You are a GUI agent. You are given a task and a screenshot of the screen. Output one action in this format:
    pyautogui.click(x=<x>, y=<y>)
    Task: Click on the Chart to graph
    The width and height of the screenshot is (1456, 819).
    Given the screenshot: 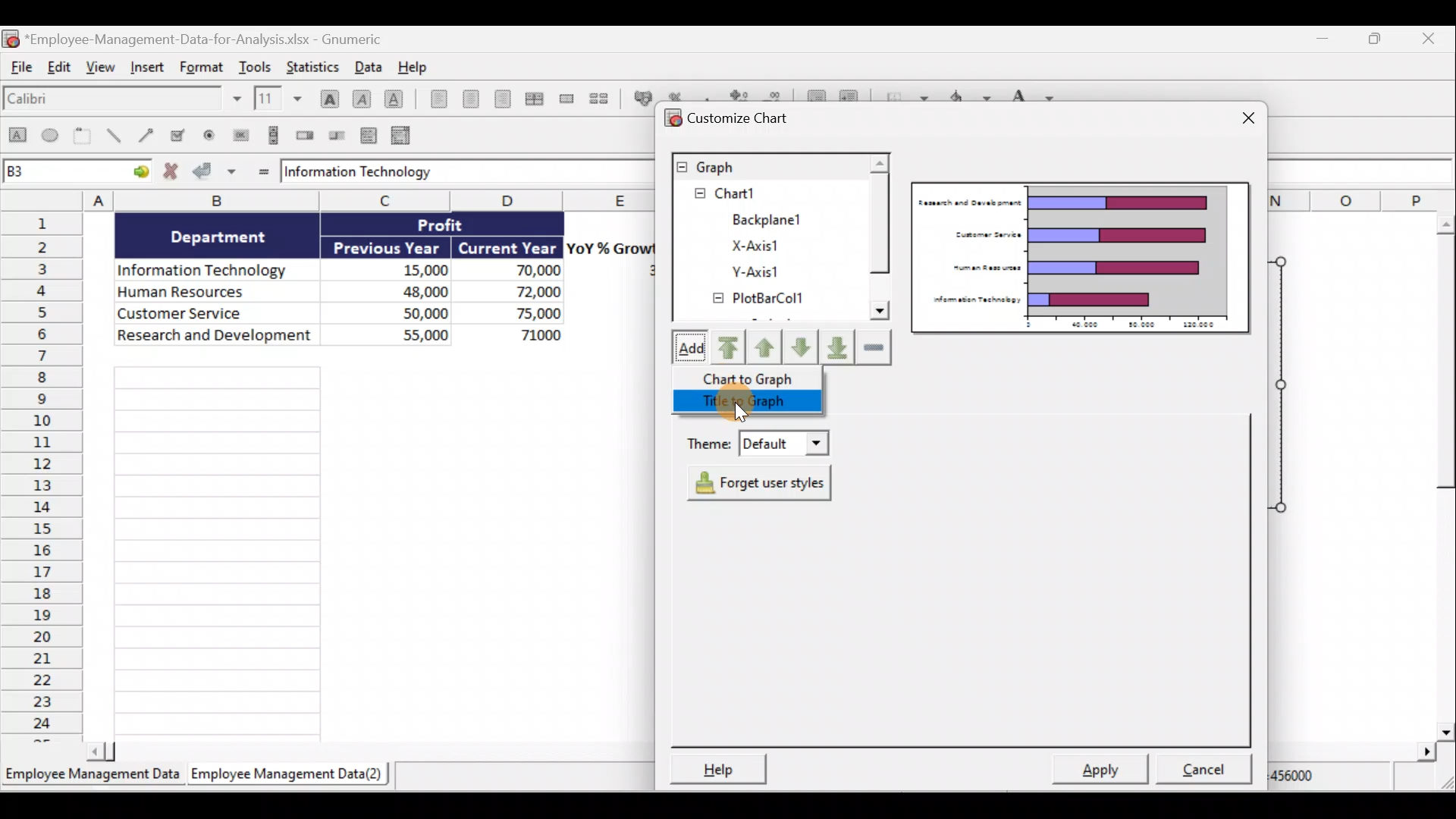 What is the action you would take?
    pyautogui.click(x=755, y=379)
    